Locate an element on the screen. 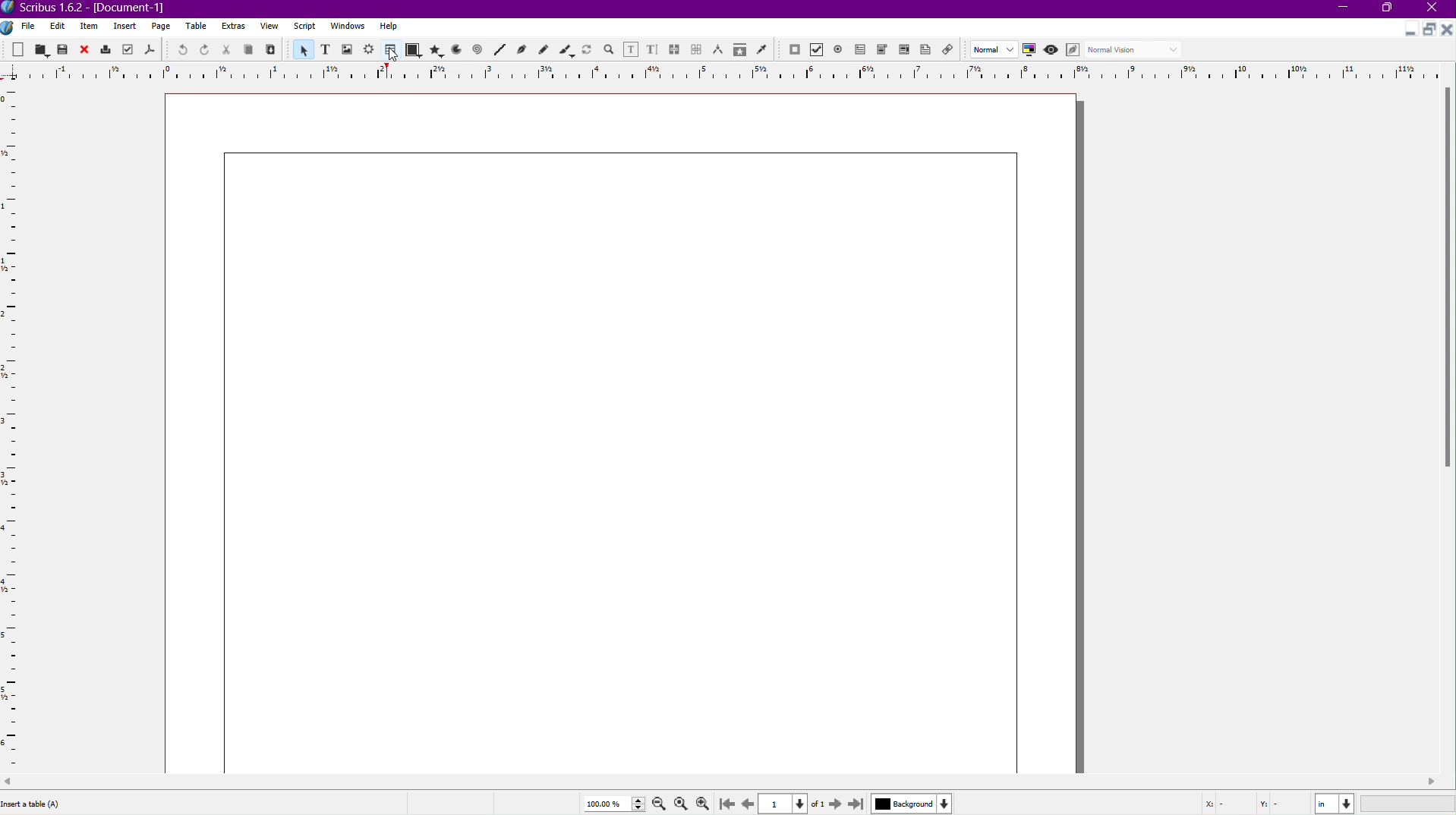 The width and height of the screenshot is (1456, 815). Measurements is located at coordinates (720, 49).